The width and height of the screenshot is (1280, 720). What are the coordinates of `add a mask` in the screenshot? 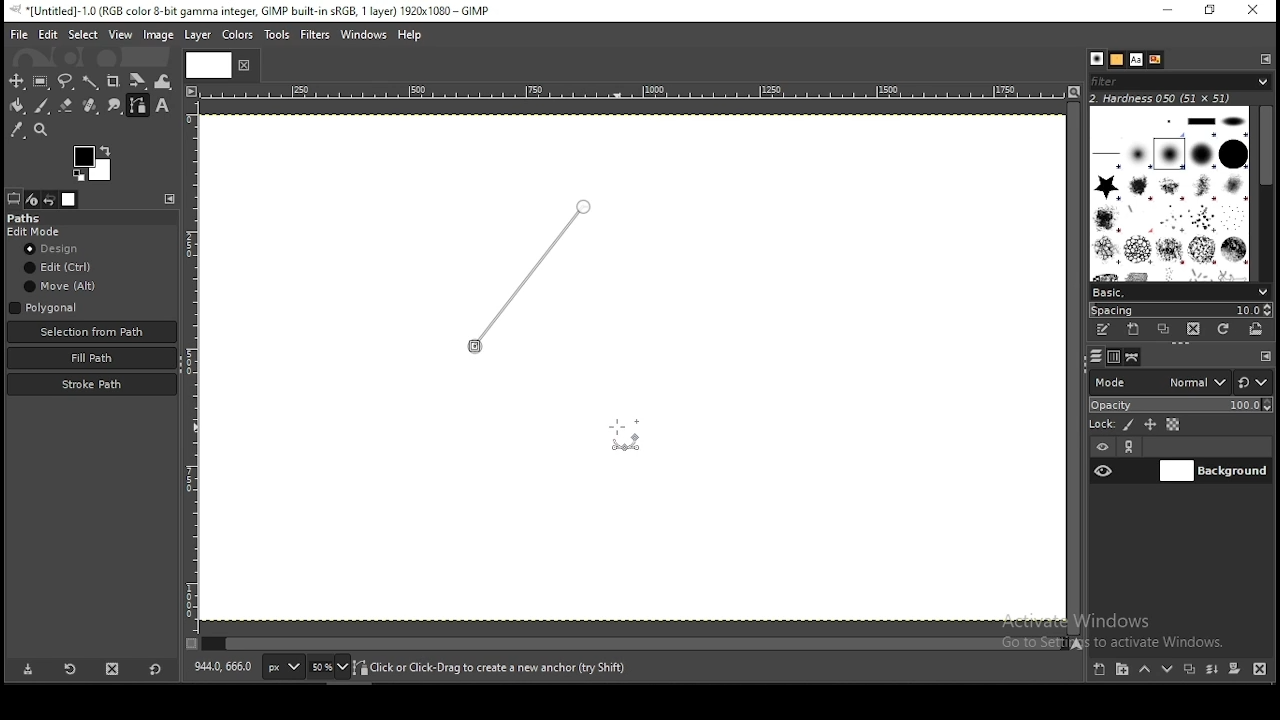 It's located at (1235, 669).